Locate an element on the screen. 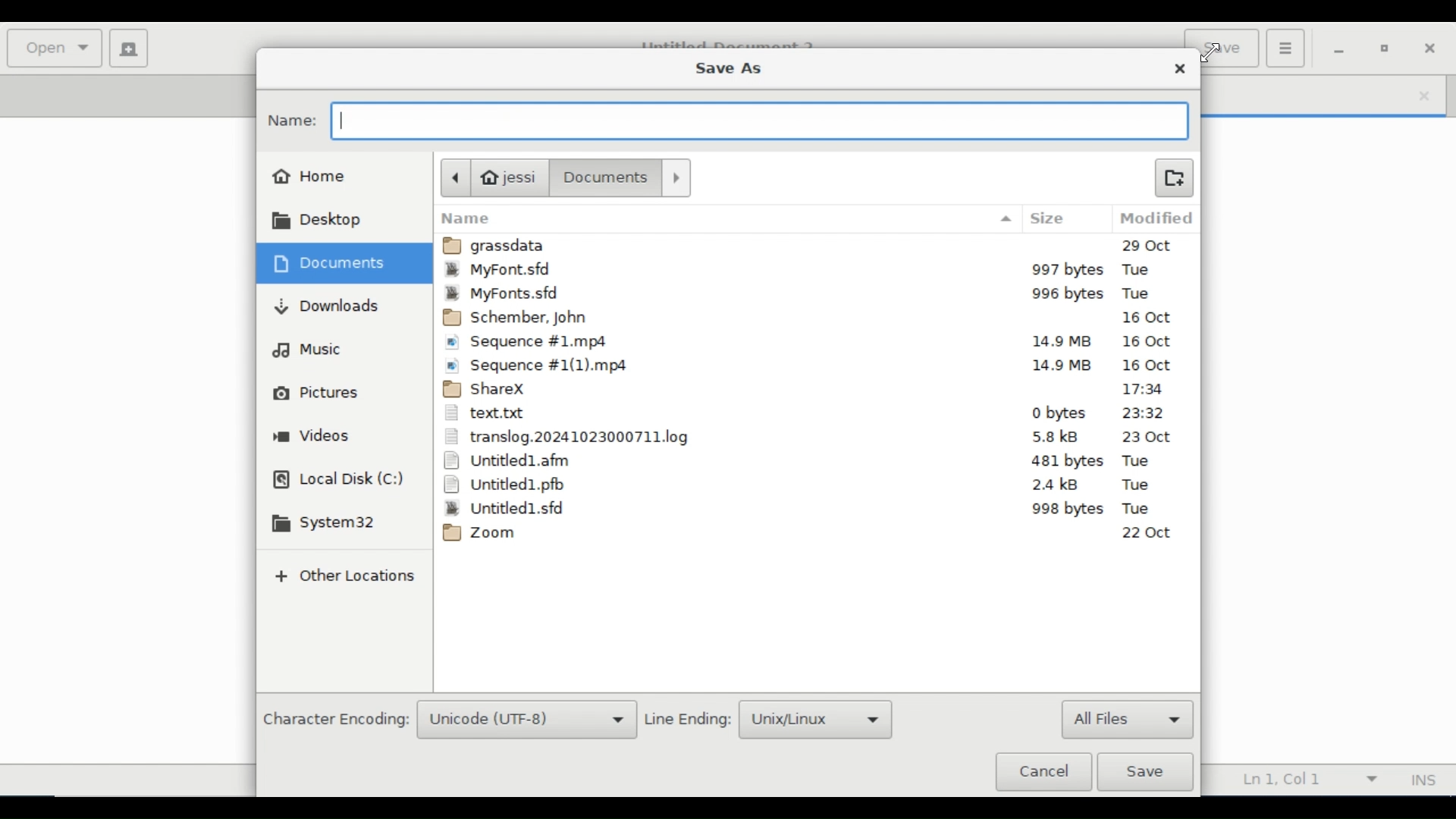 This screenshot has width=1456, height=819. Forward is located at coordinates (676, 177).